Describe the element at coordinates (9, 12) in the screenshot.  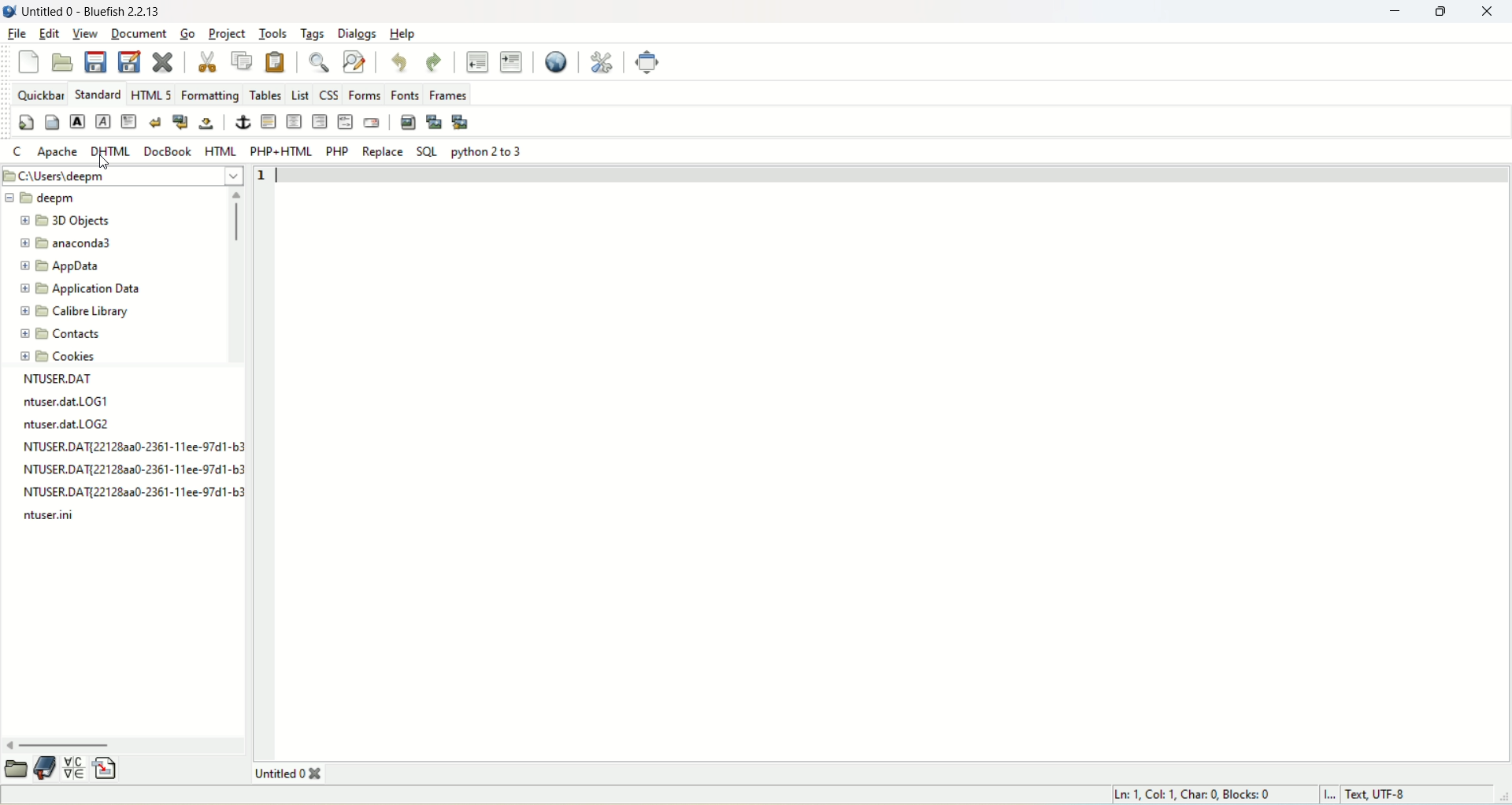
I see `logo` at that location.